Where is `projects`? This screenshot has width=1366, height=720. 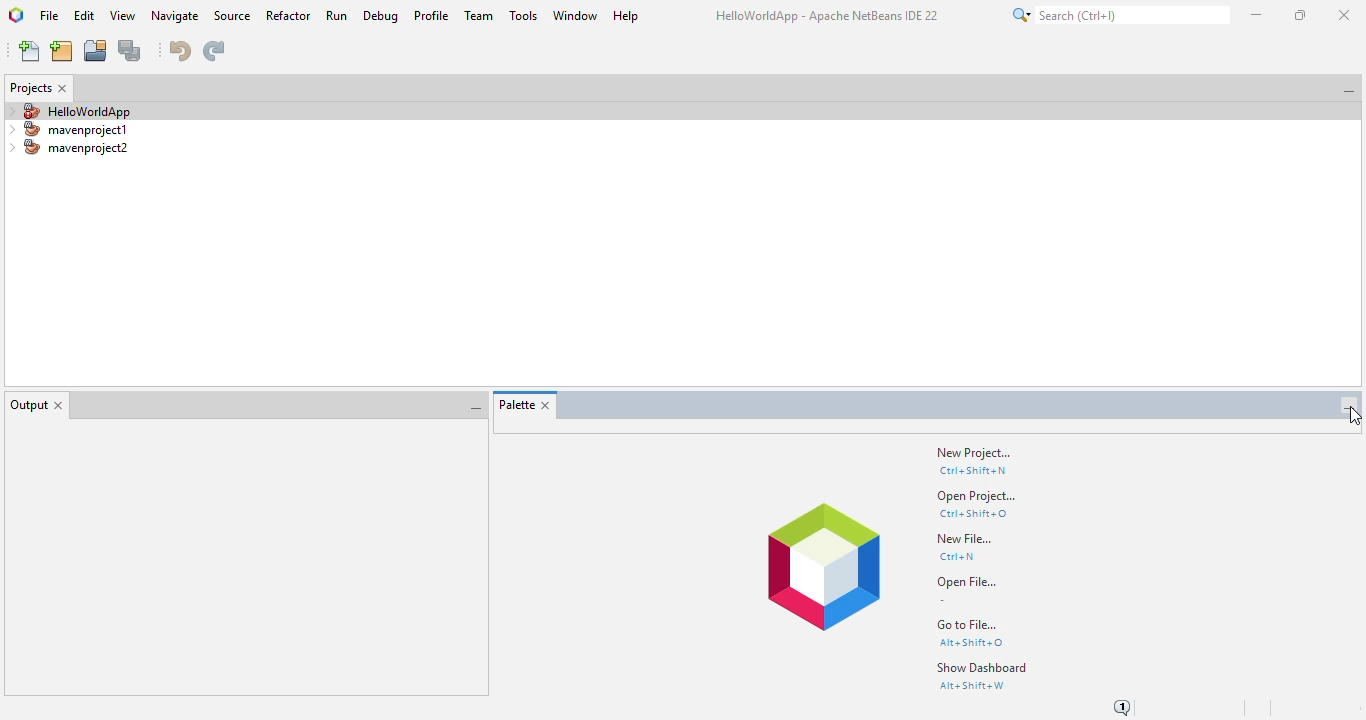
projects is located at coordinates (30, 88).